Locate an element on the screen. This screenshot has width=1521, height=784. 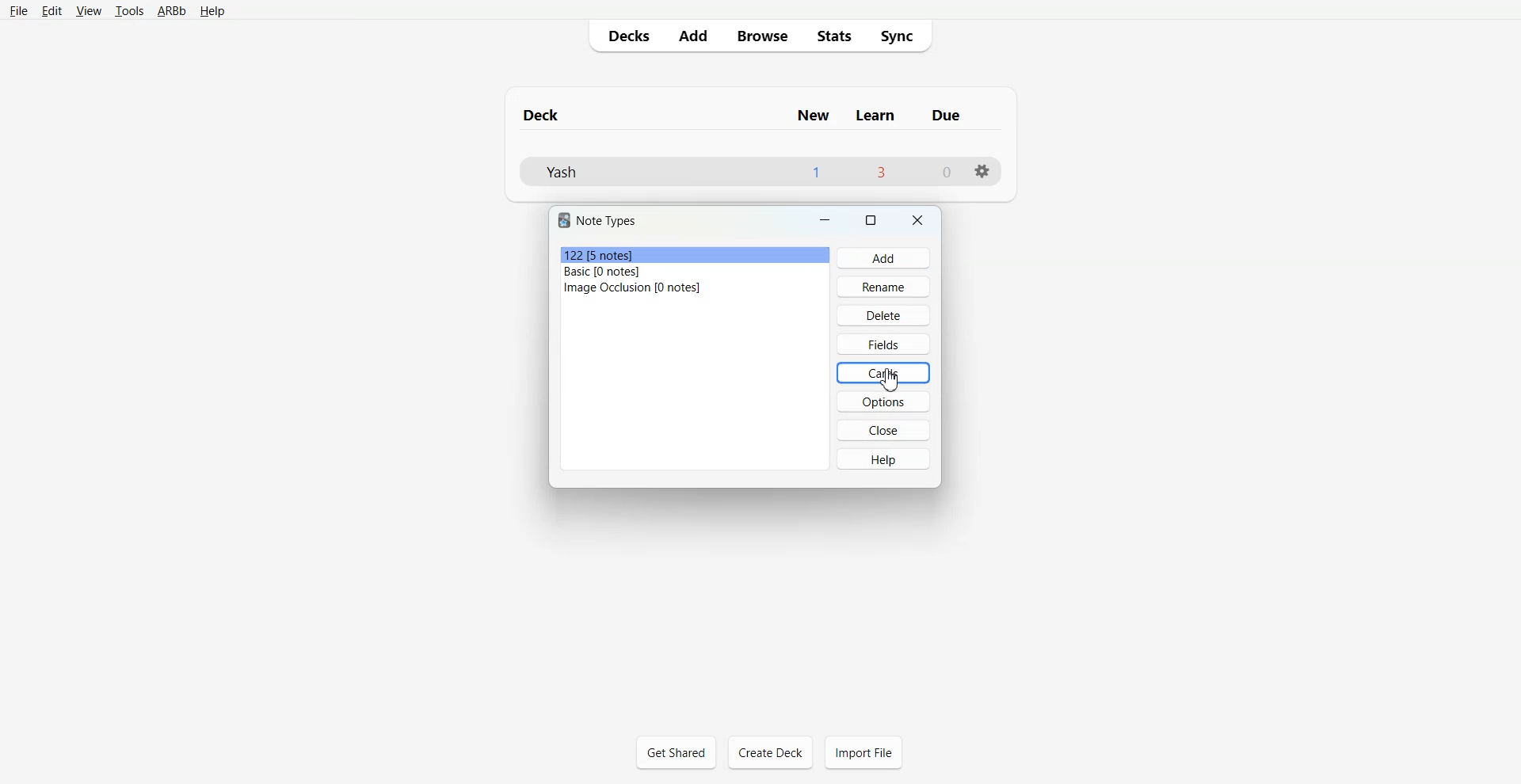
Add is located at coordinates (884, 258).